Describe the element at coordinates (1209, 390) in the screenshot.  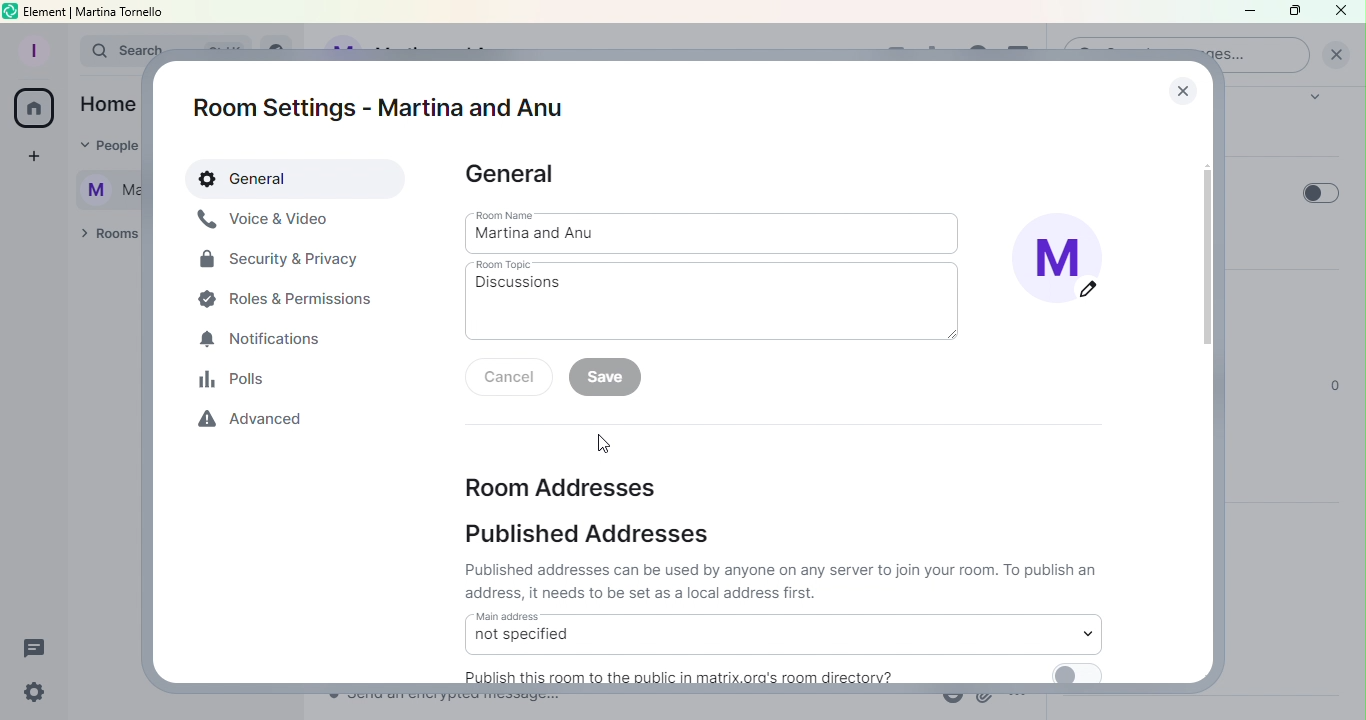
I see `Scroll bar` at that location.